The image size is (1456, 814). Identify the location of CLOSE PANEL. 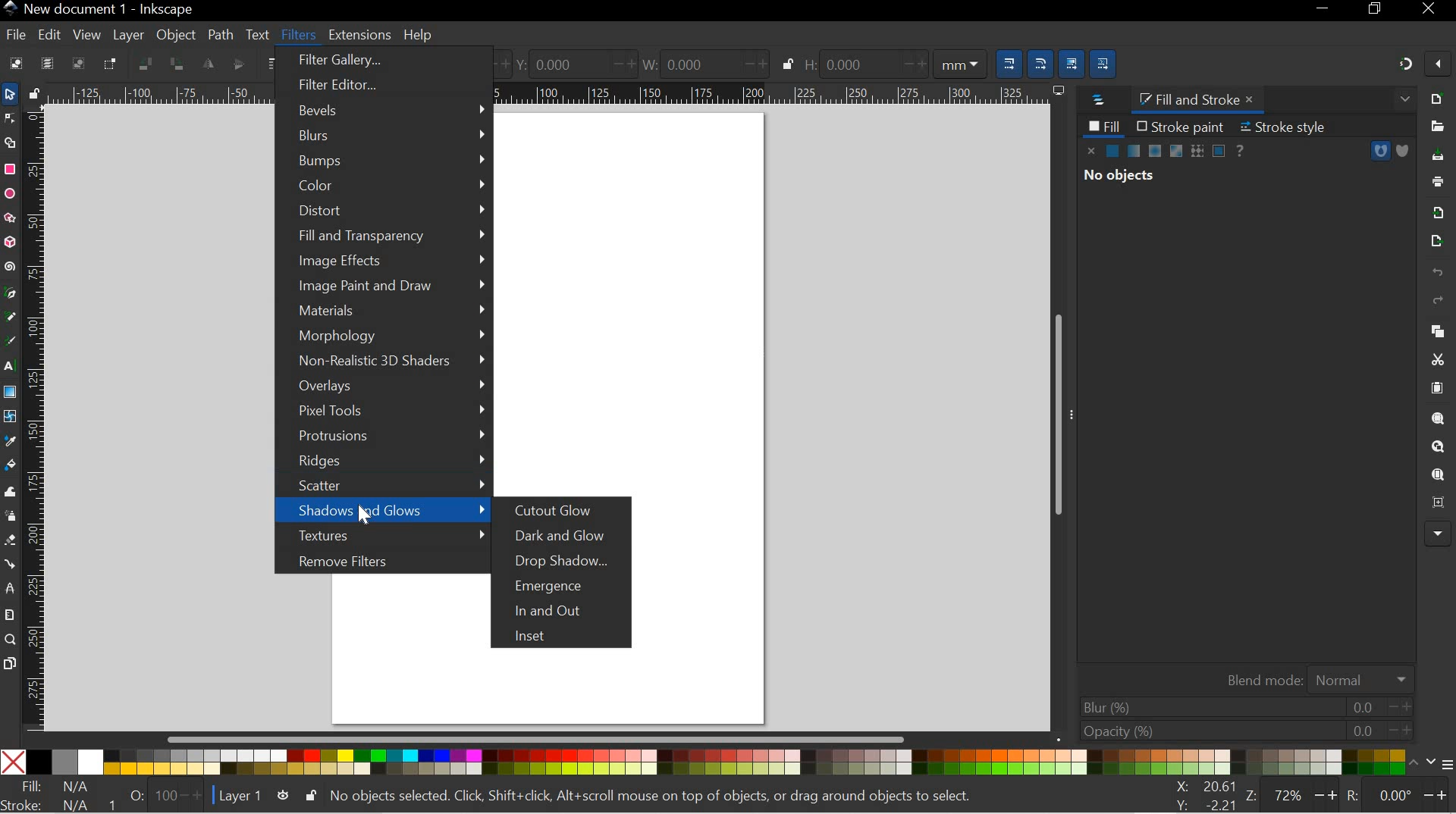
(1402, 101).